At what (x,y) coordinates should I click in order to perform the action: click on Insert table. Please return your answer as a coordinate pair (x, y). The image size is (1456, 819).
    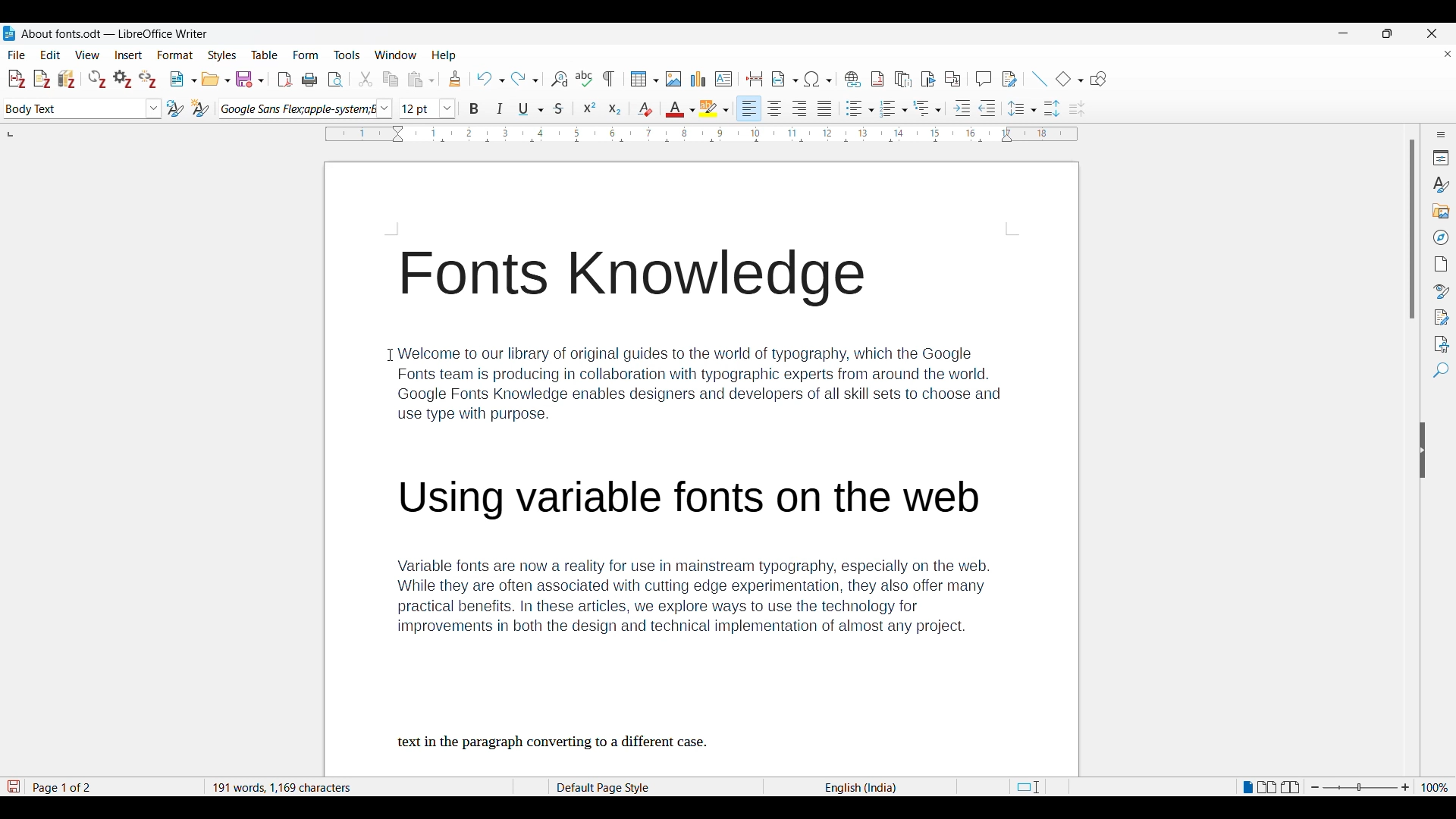
    Looking at the image, I should click on (645, 79).